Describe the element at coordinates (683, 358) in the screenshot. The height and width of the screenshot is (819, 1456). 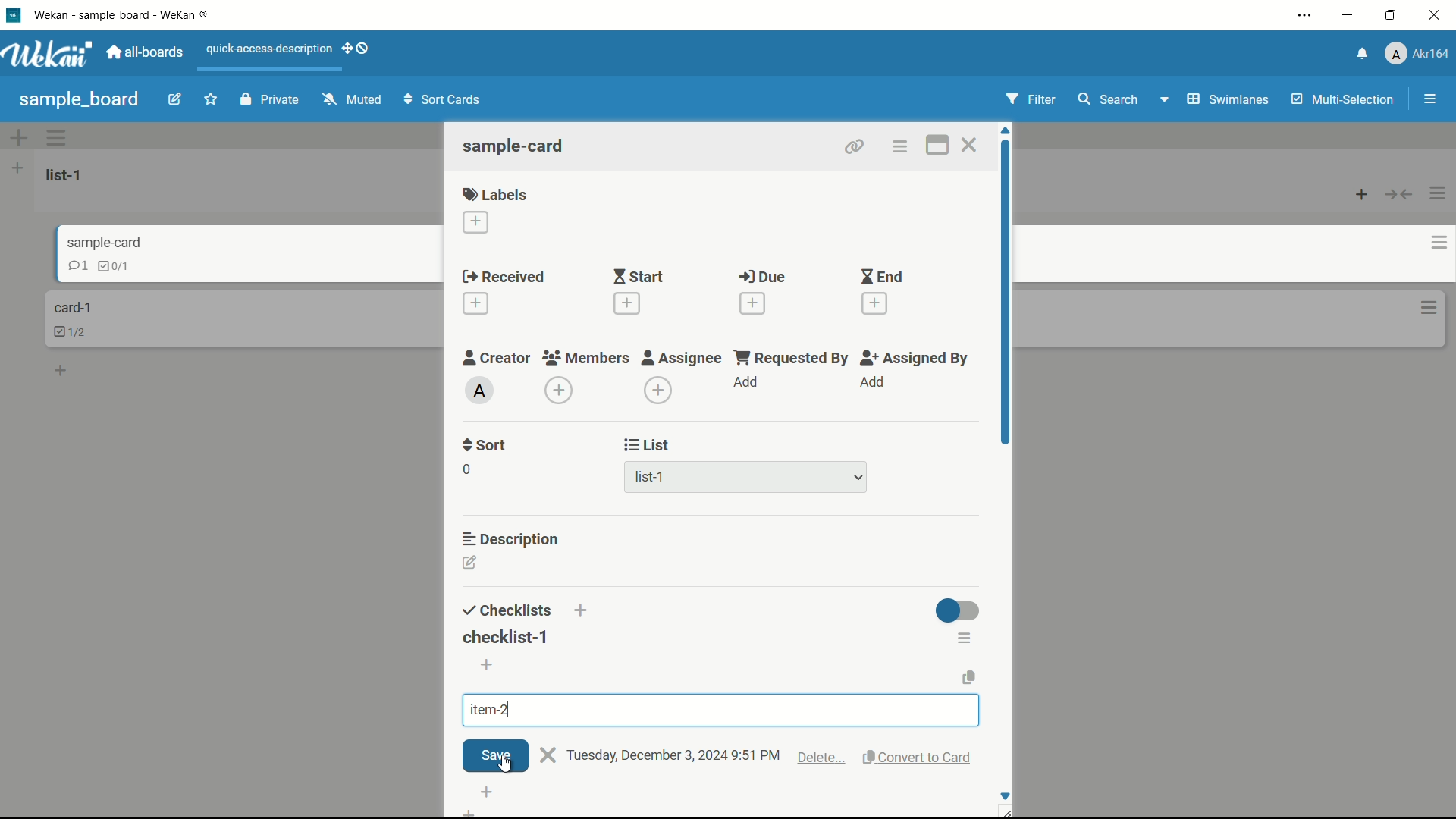
I see `assignee` at that location.